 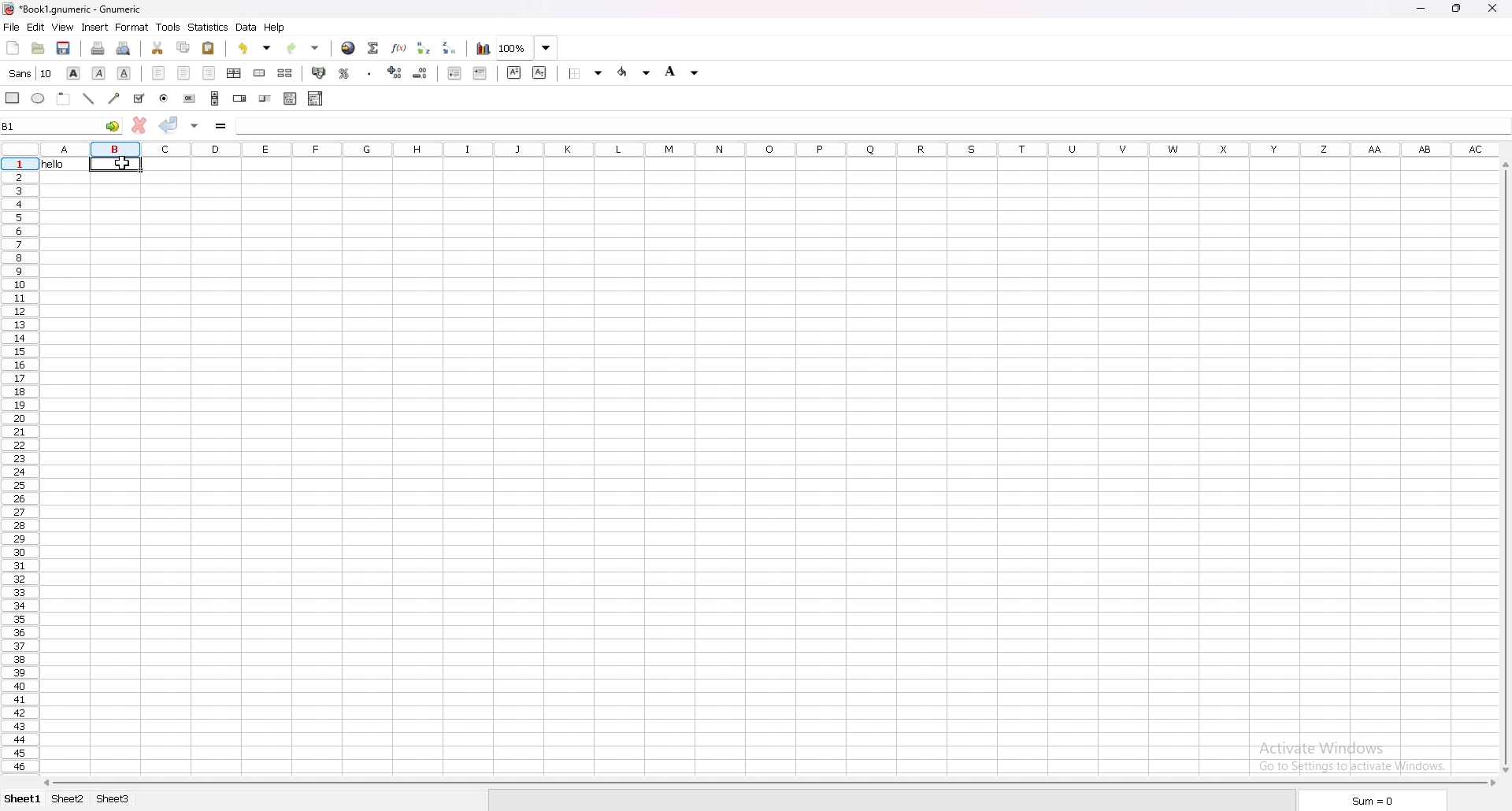 I want to click on cut, so click(x=157, y=48).